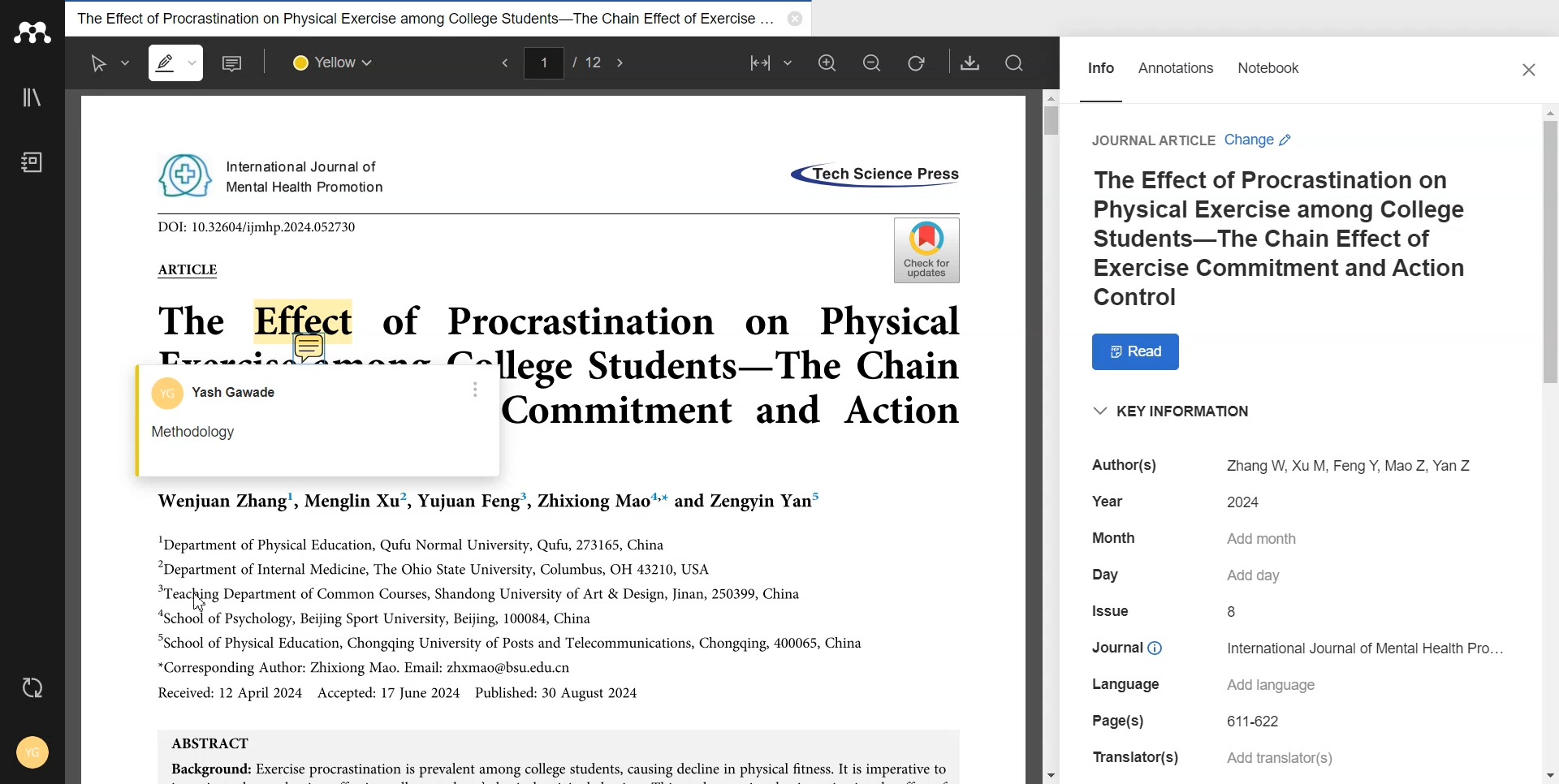 This screenshot has height=784, width=1559. Describe the element at coordinates (1187, 501) in the screenshot. I see `Year 2024` at that location.